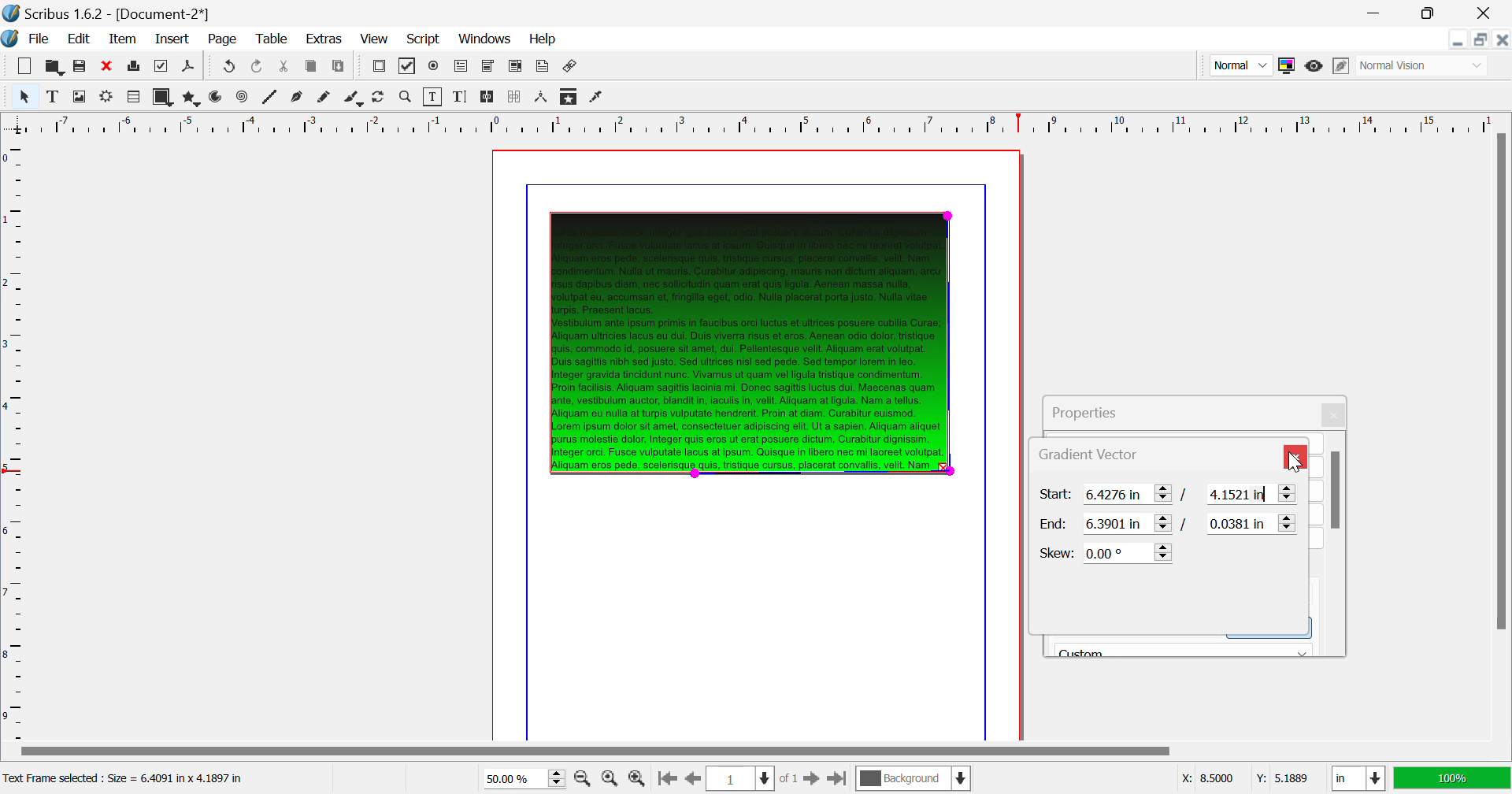 The height and width of the screenshot is (794, 1512). Describe the element at coordinates (1459, 39) in the screenshot. I see `Restore Down` at that location.